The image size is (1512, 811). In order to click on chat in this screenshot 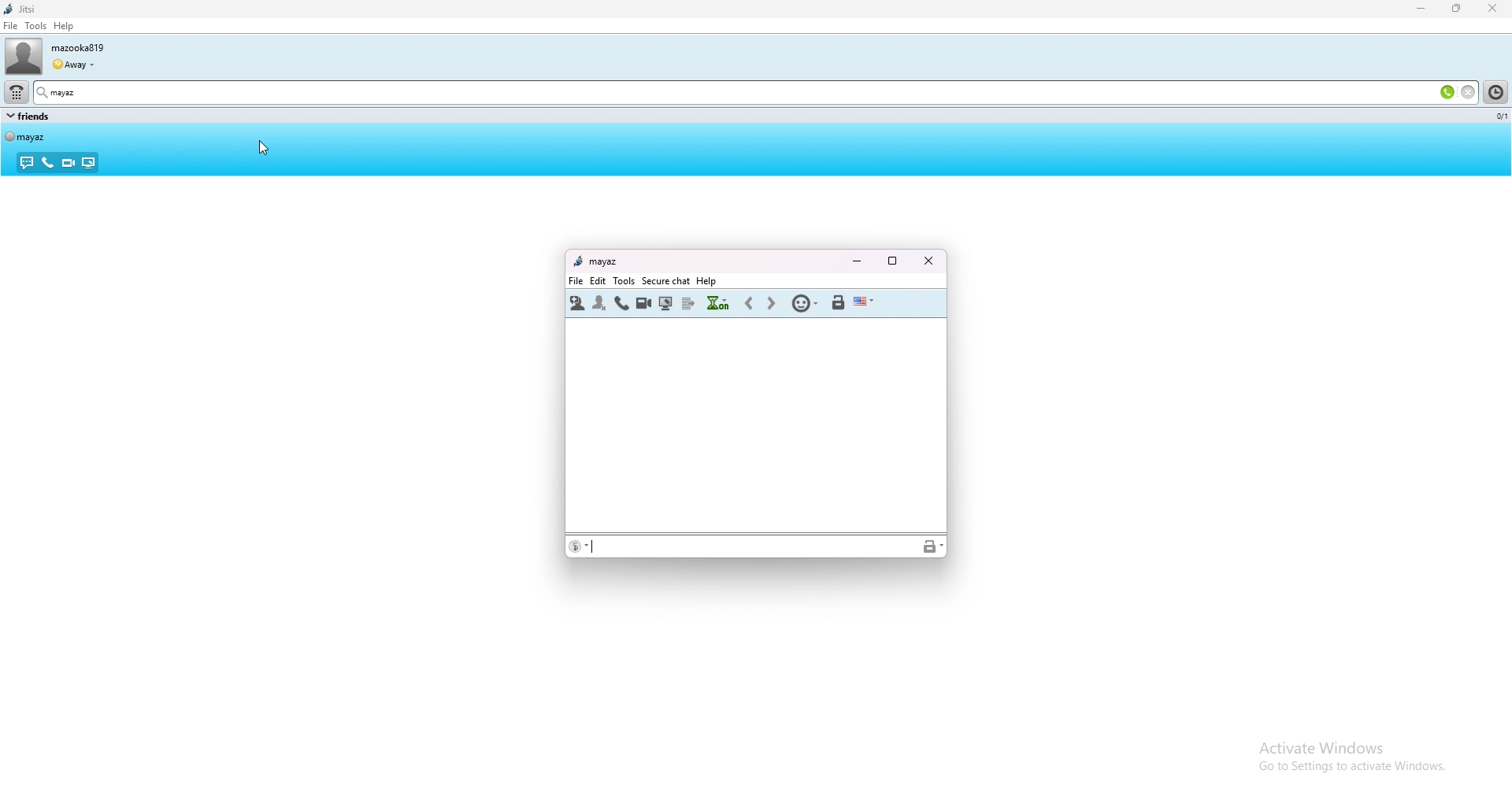, I will do `click(26, 164)`.